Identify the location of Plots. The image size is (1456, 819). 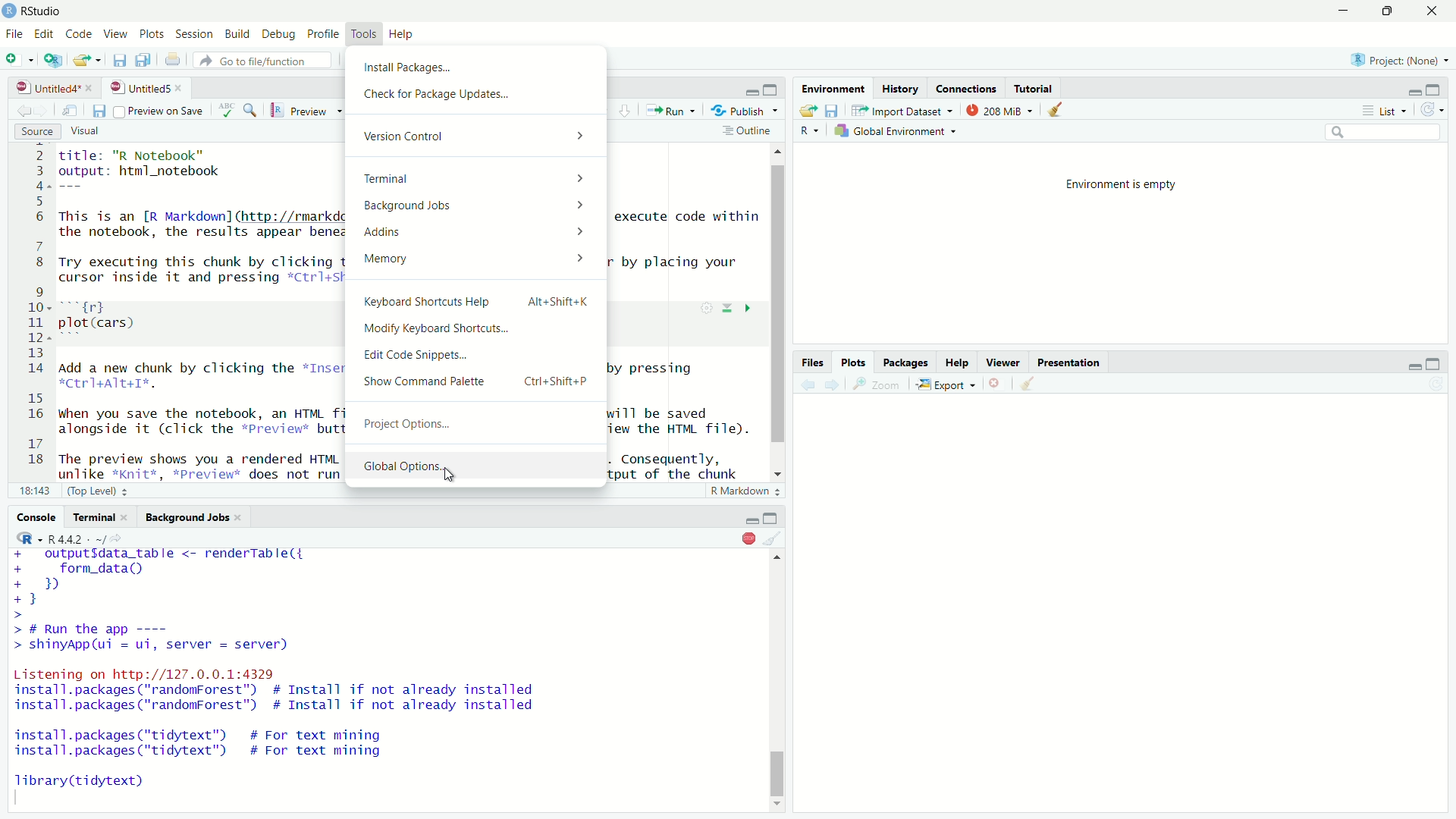
(853, 362).